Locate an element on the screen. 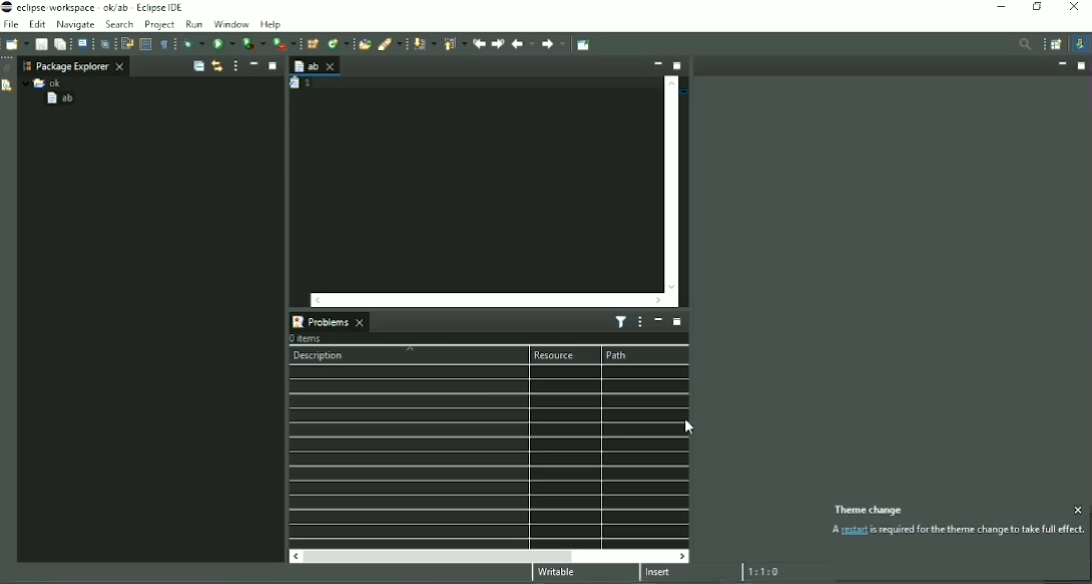 This screenshot has width=1092, height=584. Maximize is located at coordinates (274, 67).